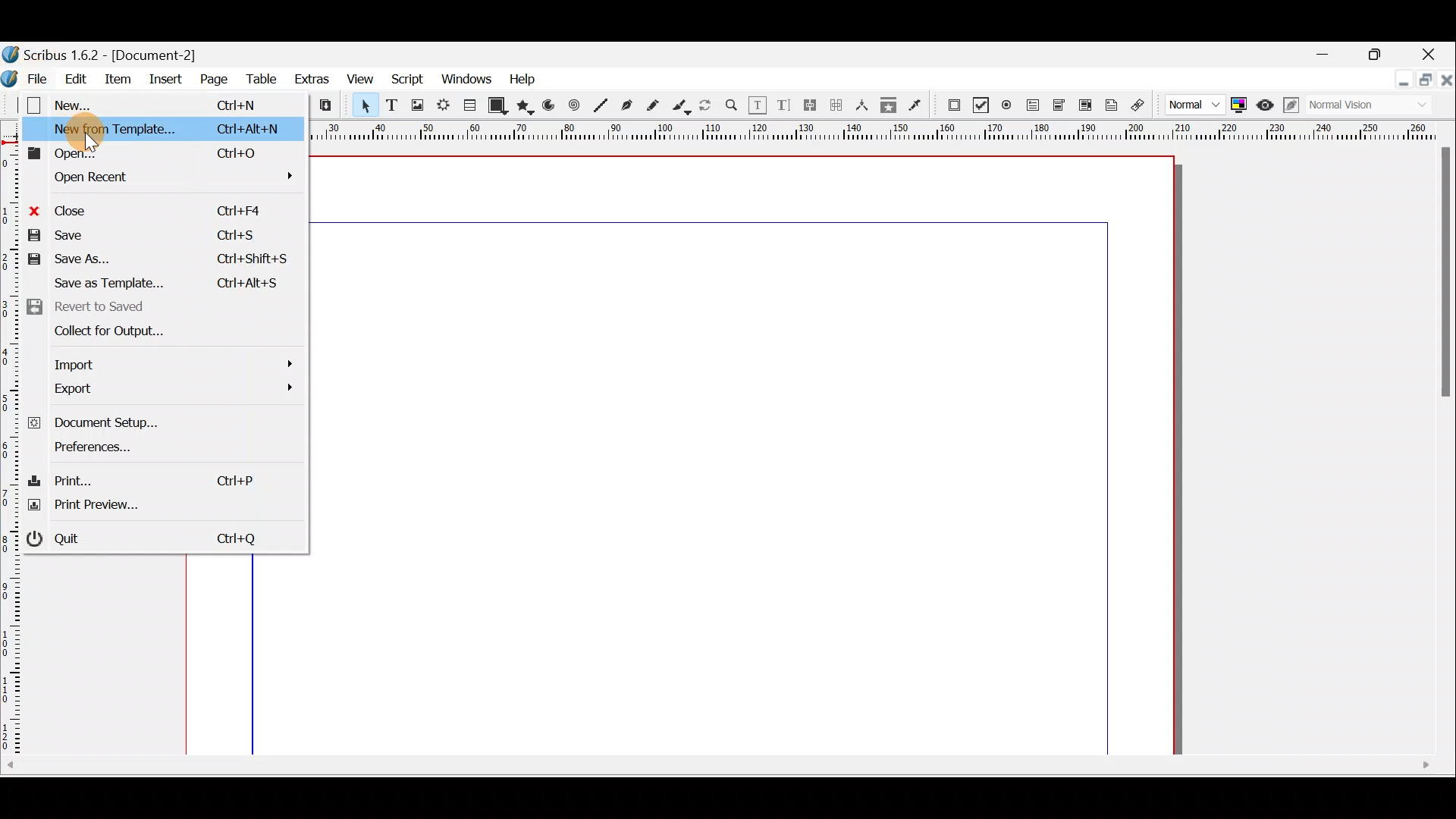  What do you see at coordinates (168, 208) in the screenshot?
I see `Close` at bounding box center [168, 208].